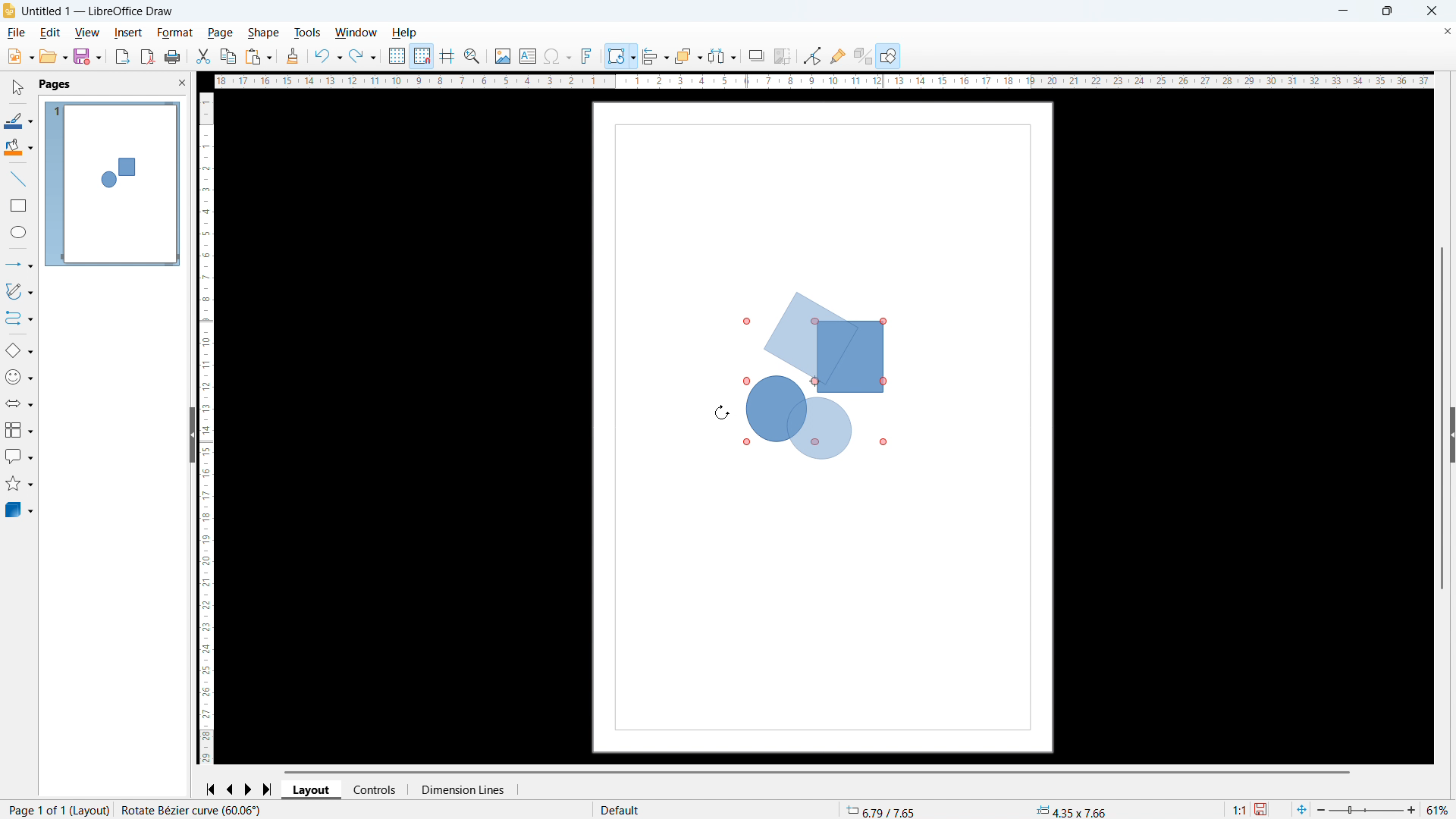 This screenshot has height=819, width=1456. Describe the element at coordinates (147, 56) in the screenshot. I see `Export as PDF ` at that location.